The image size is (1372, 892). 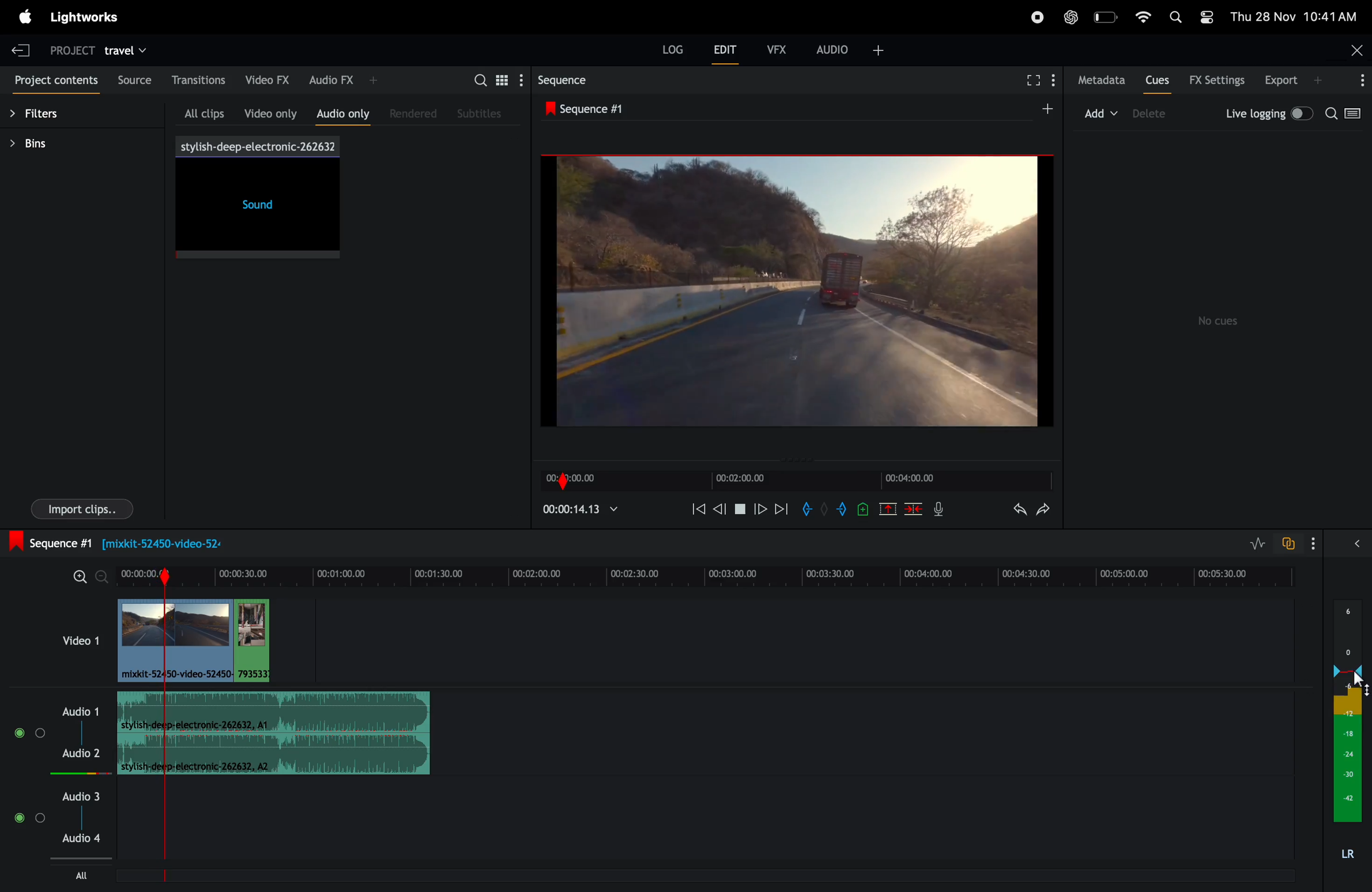 I want to click on export, so click(x=1294, y=80).